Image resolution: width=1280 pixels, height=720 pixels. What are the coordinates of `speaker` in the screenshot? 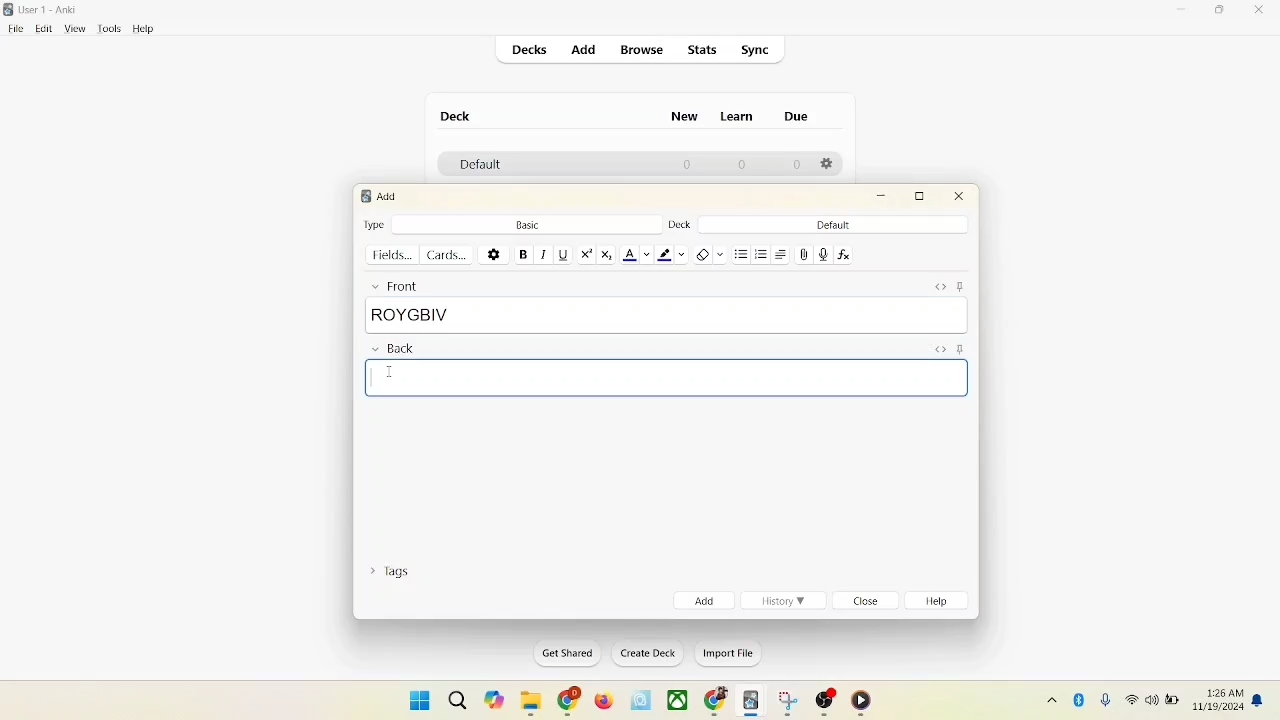 It's located at (1151, 699).